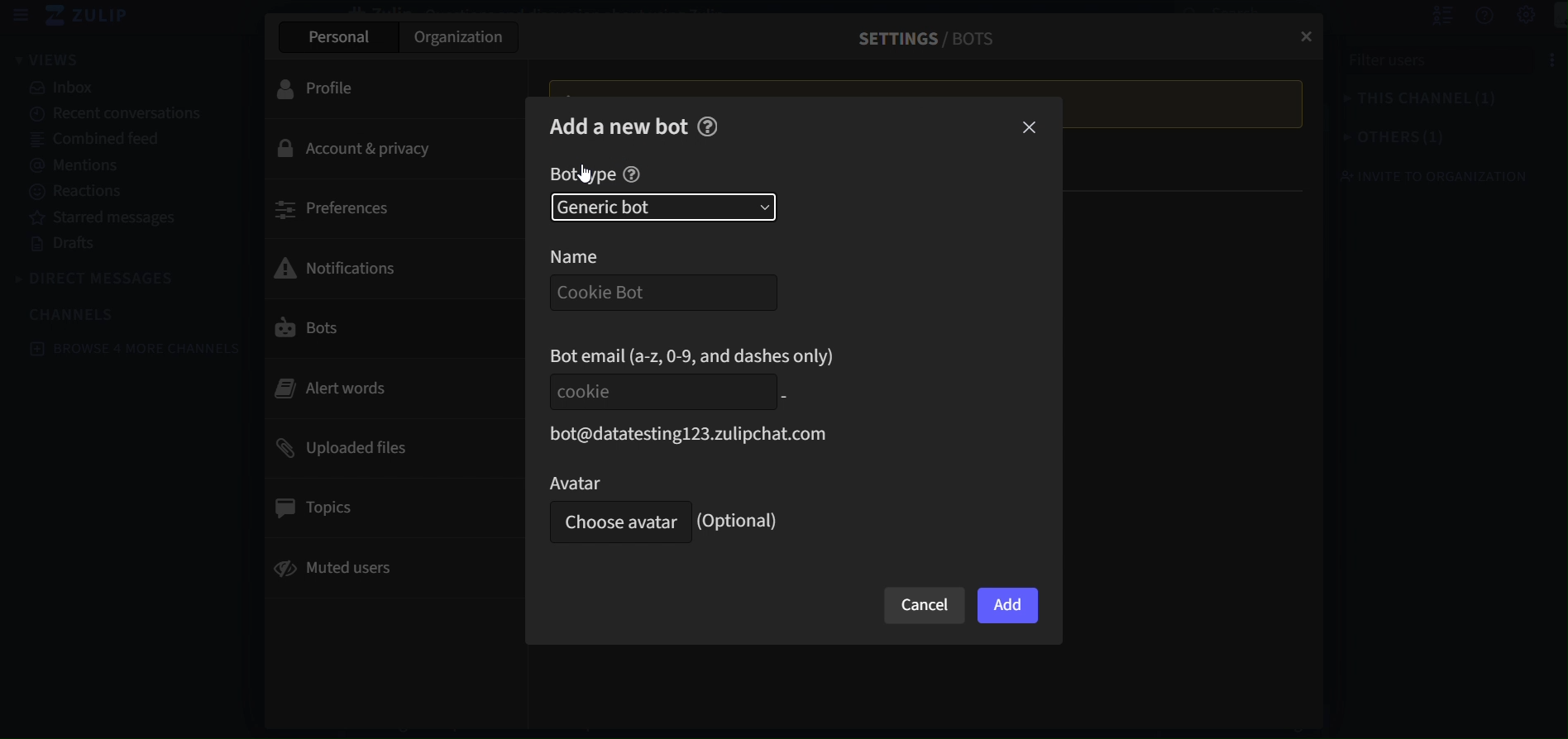 This screenshot has width=1568, height=739. Describe the element at coordinates (1509, 16) in the screenshot. I see `main menu` at that location.